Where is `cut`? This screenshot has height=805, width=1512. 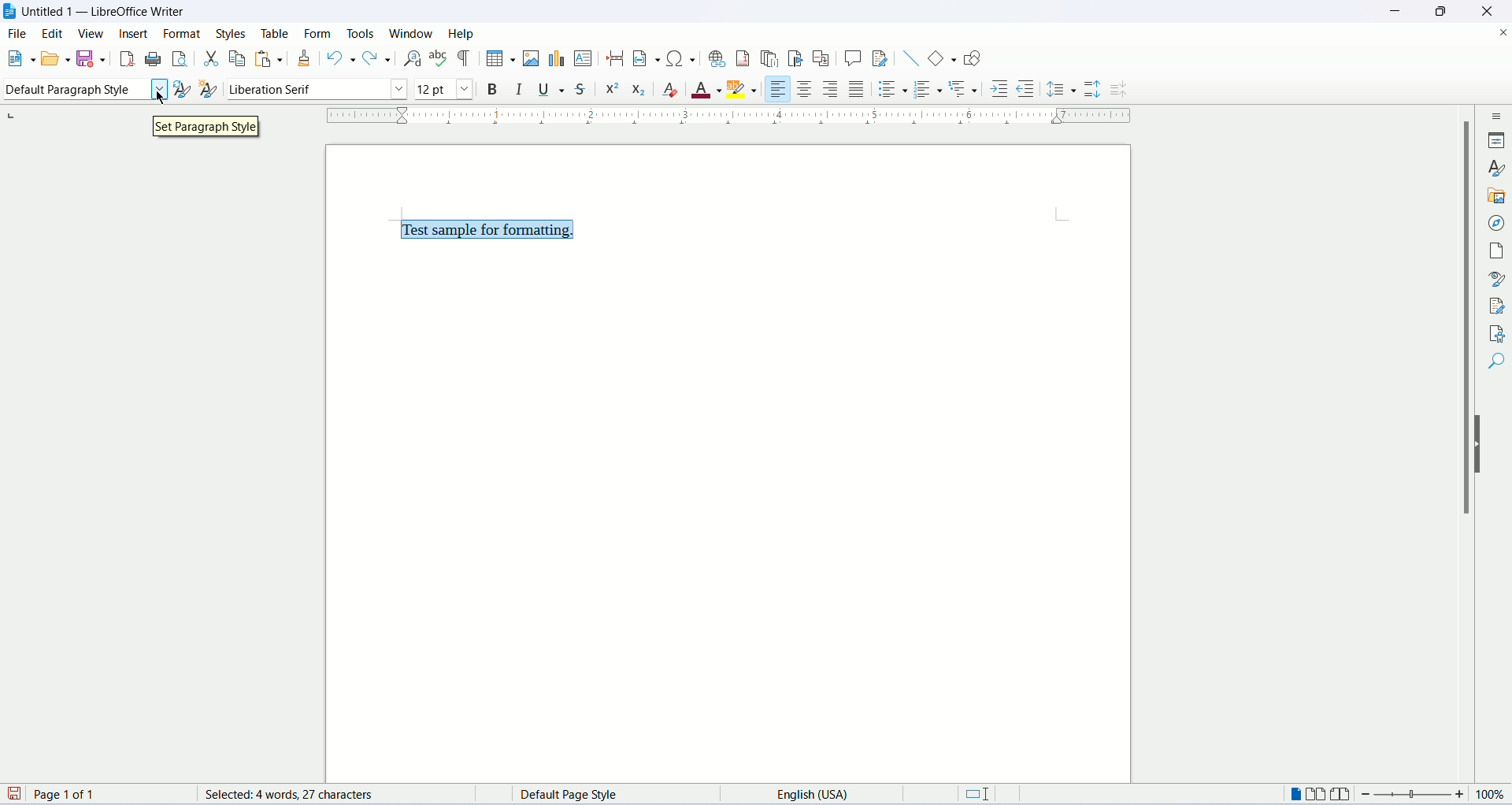 cut is located at coordinates (209, 57).